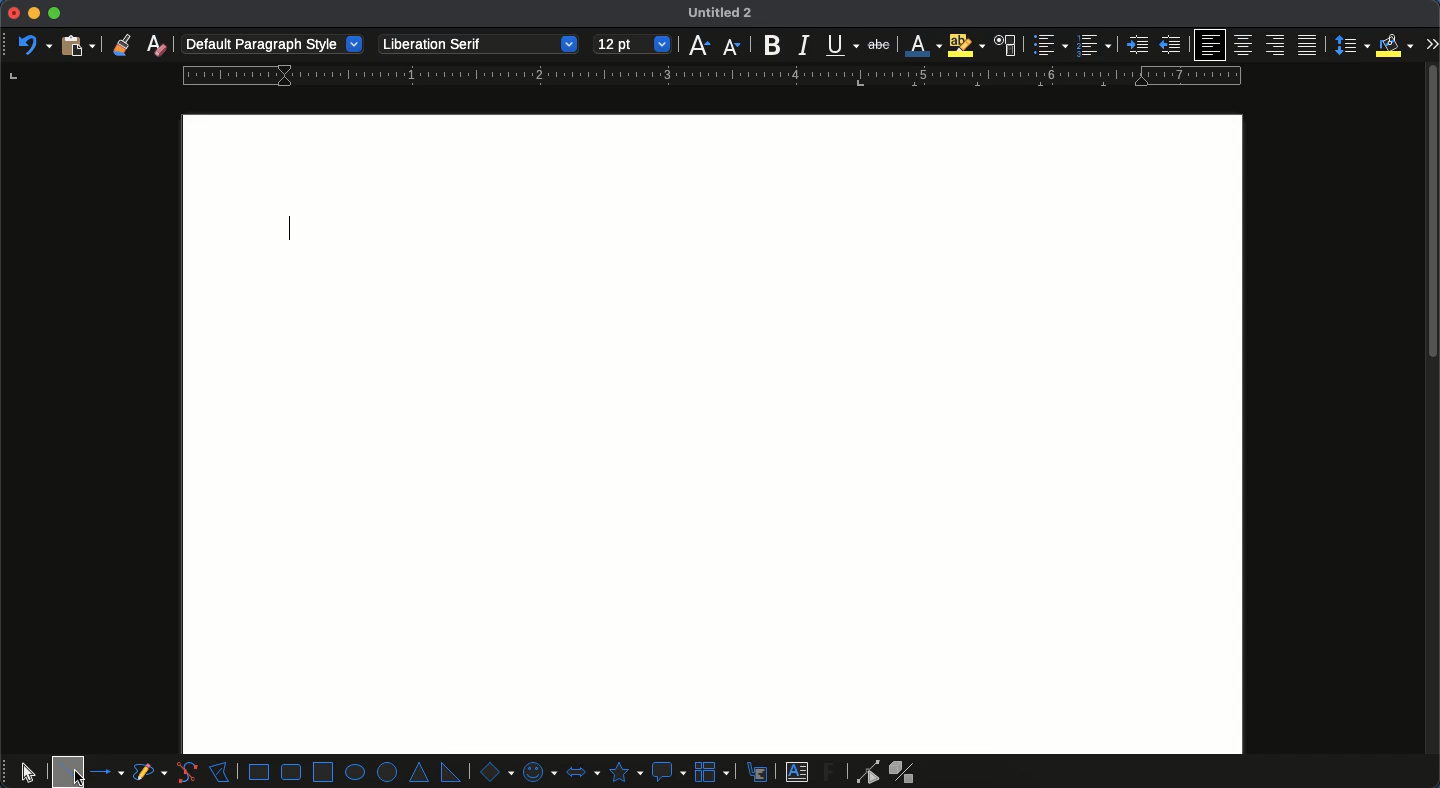  What do you see at coordinates (832, 771) in the screenshot?
I see `footwork text` at bounding box center [832, 771].